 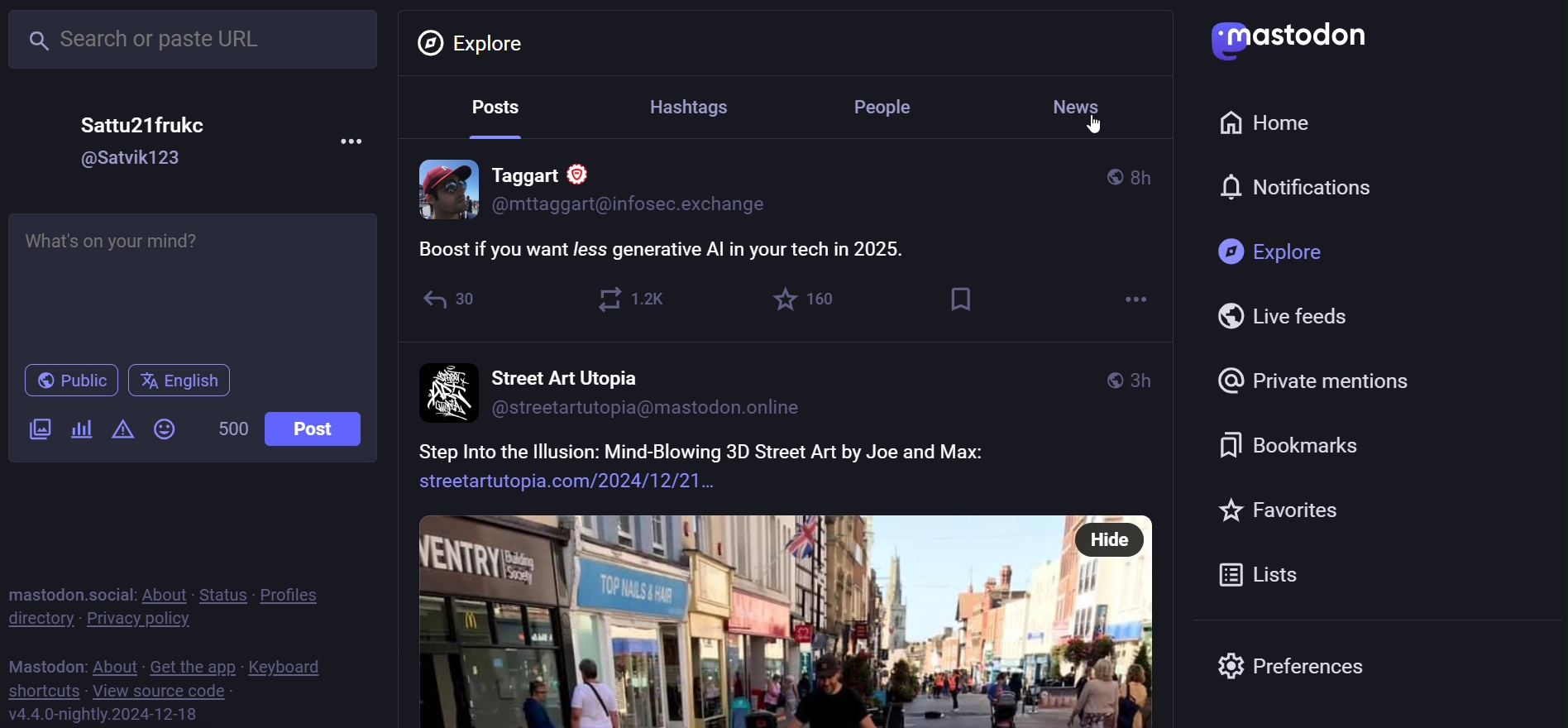 I want to click on list, so click(x=1260, y=574).